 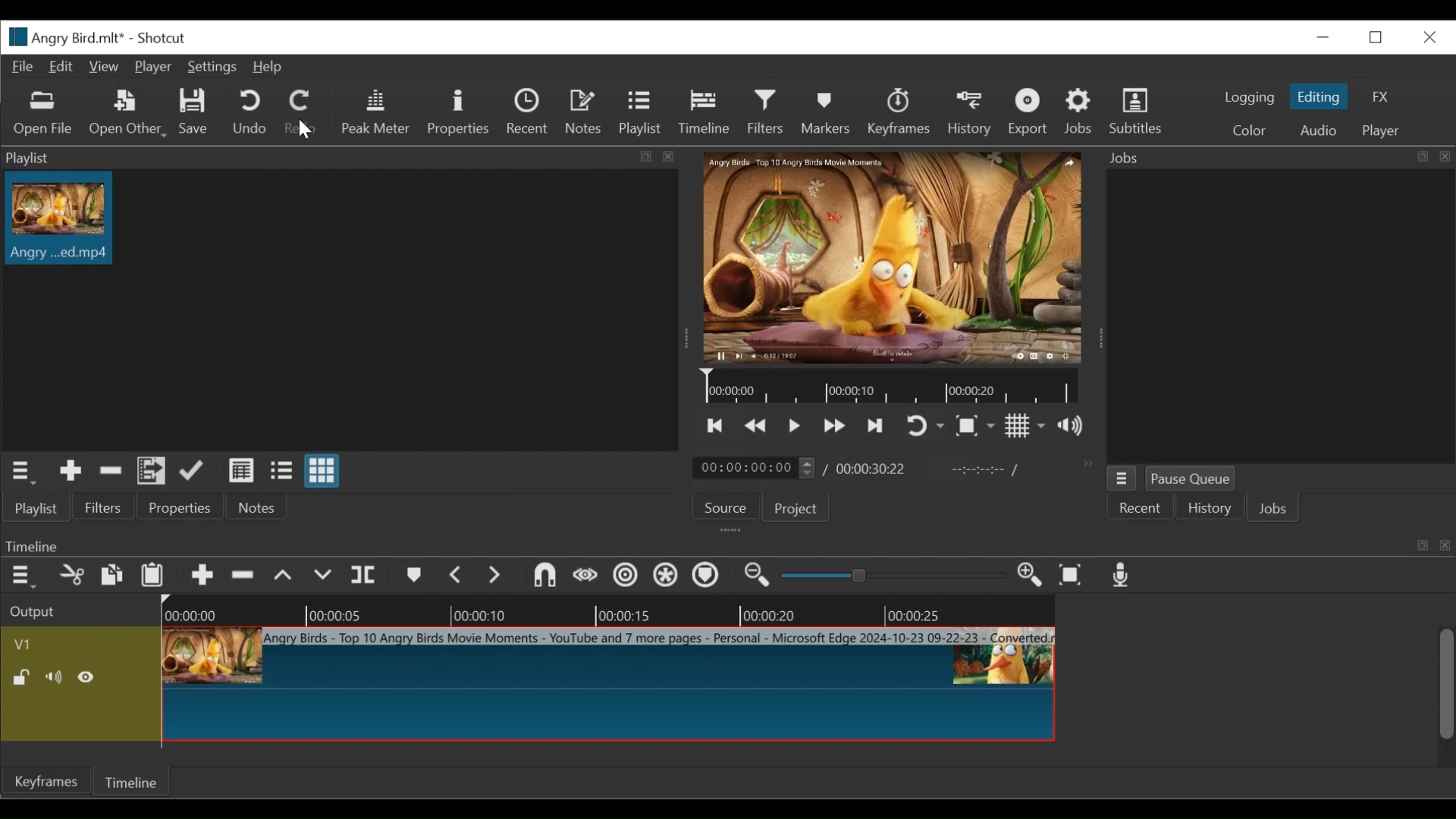 What do you see at coordinates (640, 114) in the screenshot?
I see `Playlist` at bounding box center [640, 114].